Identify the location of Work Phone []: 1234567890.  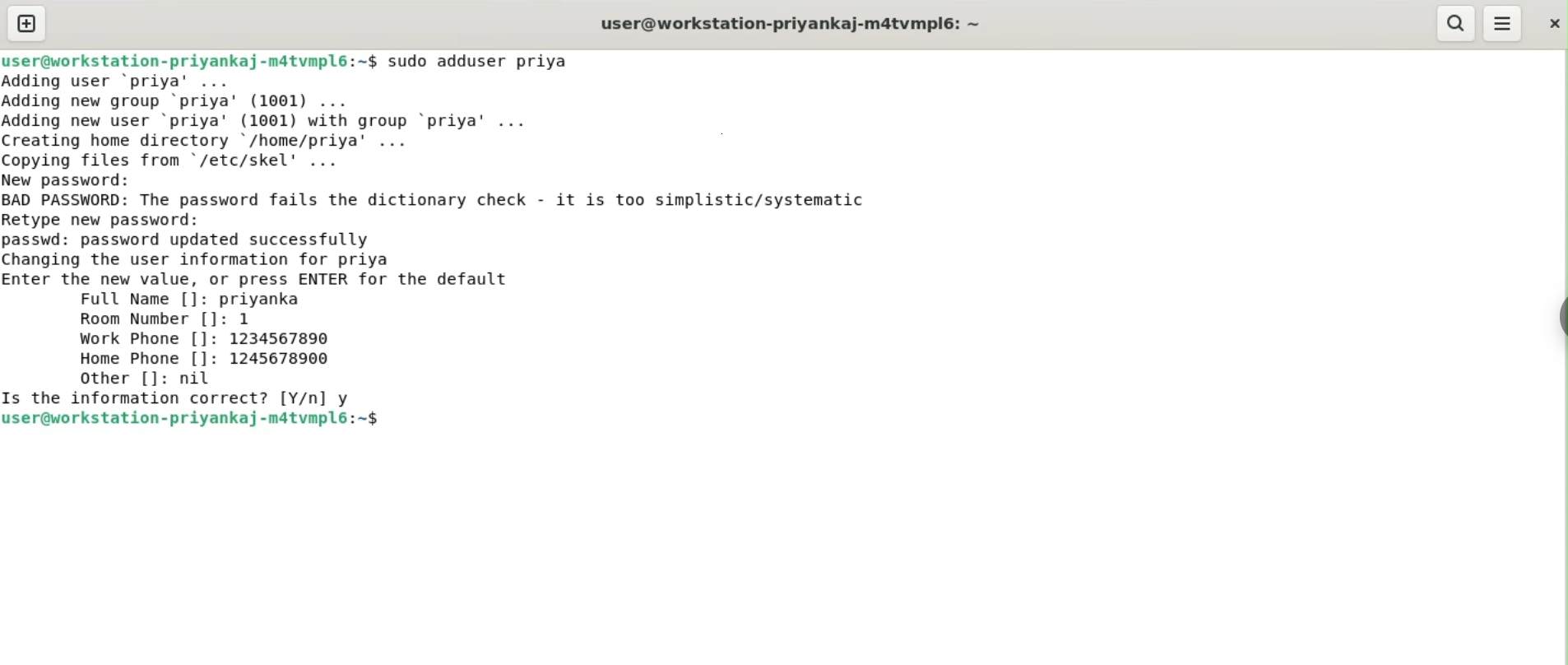
(208, 339).